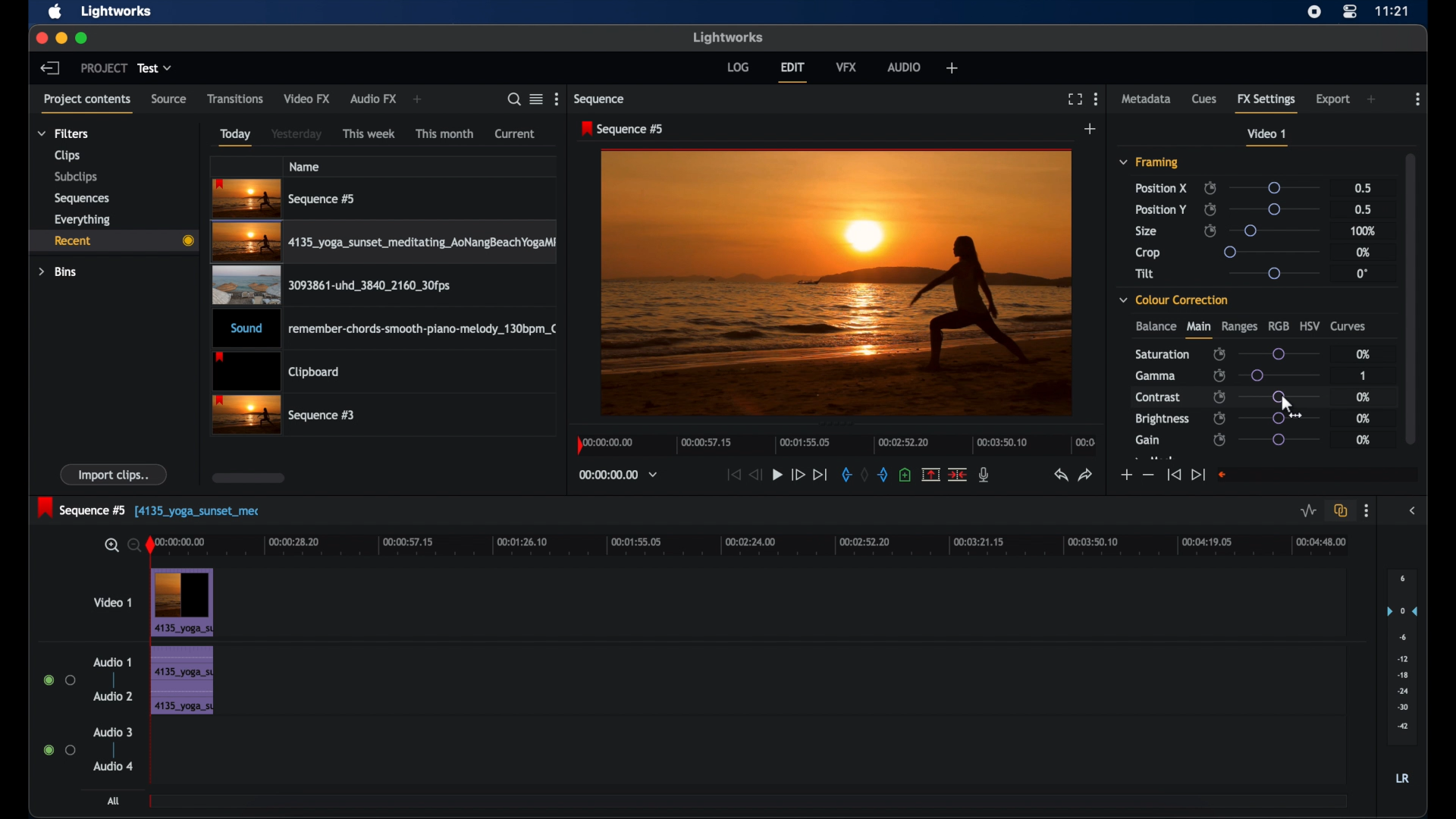  What do you see at coordinates (510, 99) in the screenshot?
I see `search` at bounding box center [510, 99].